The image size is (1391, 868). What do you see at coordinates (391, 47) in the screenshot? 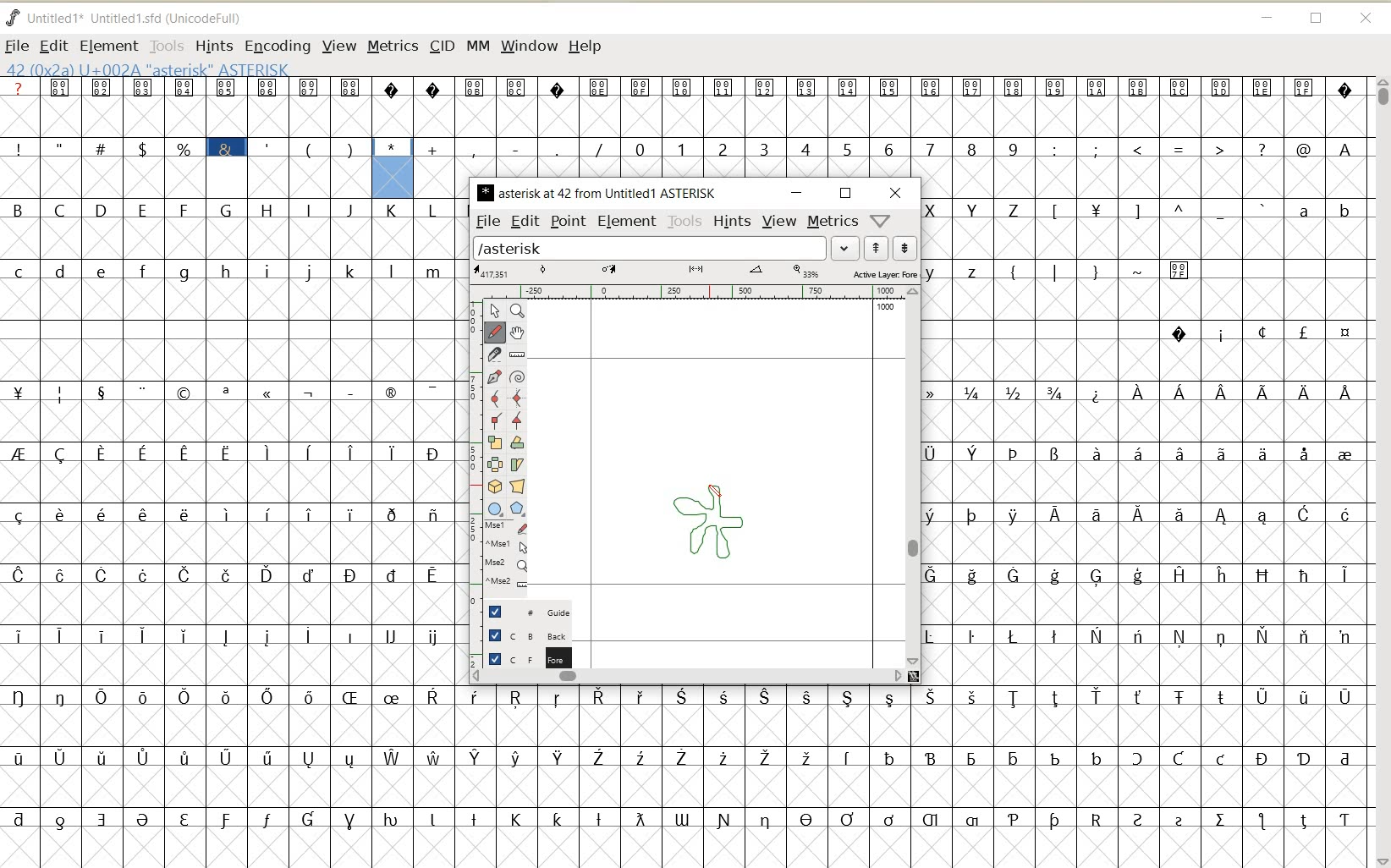
I see `METRICS` at bounding box center [391, 47].